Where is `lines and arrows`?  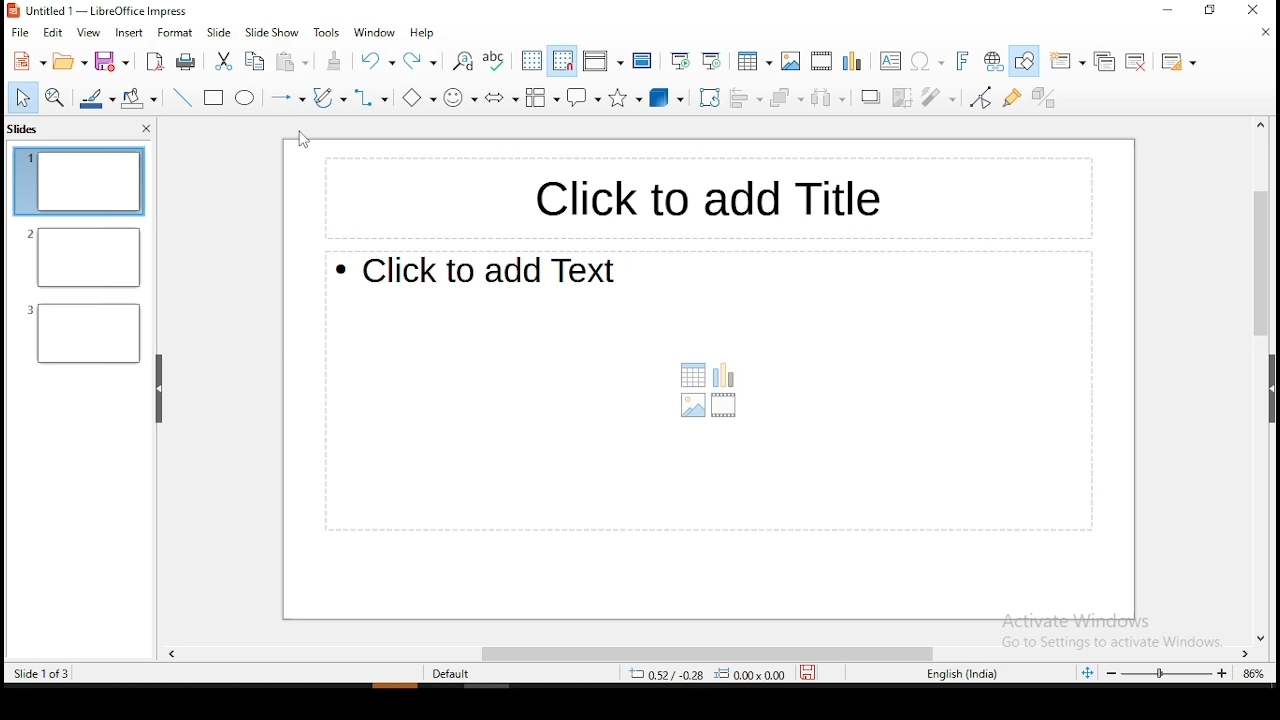
lines and arrows is located at coordinates (287, 98).